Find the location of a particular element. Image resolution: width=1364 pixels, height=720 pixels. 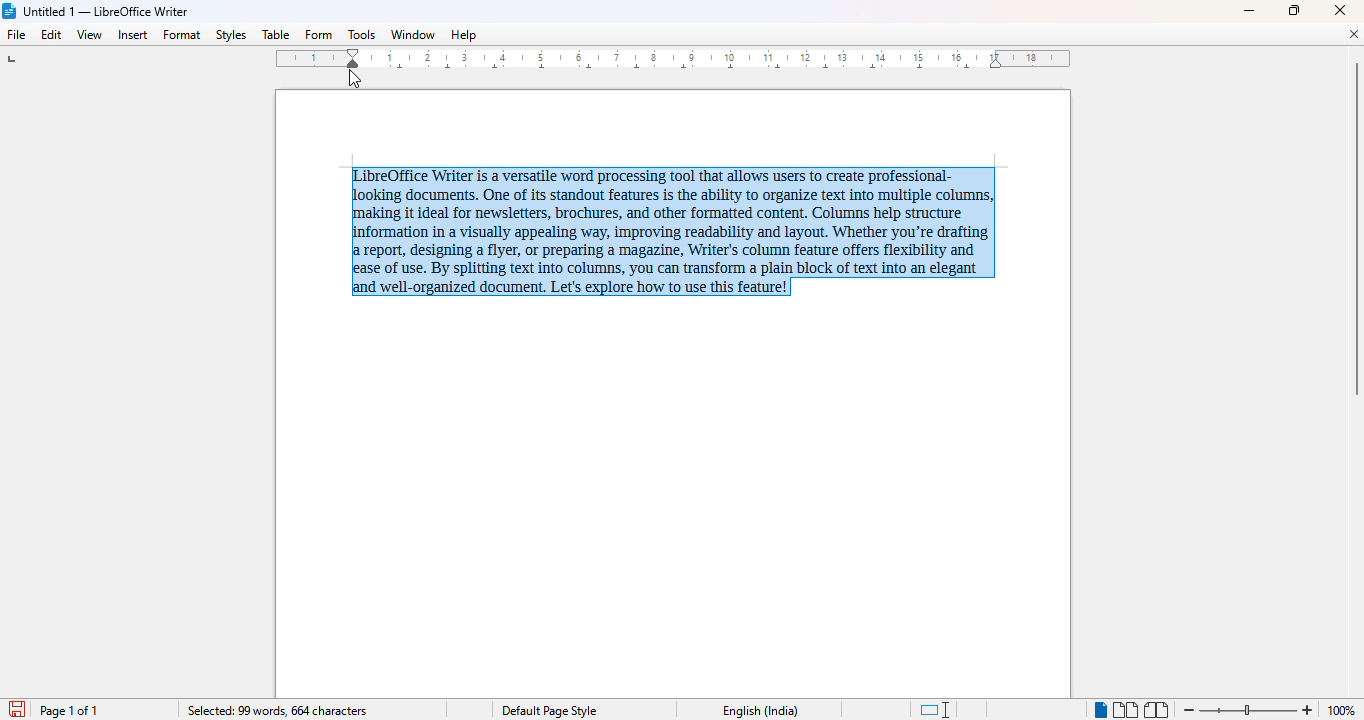

close is located at coordinates (1339, 10).